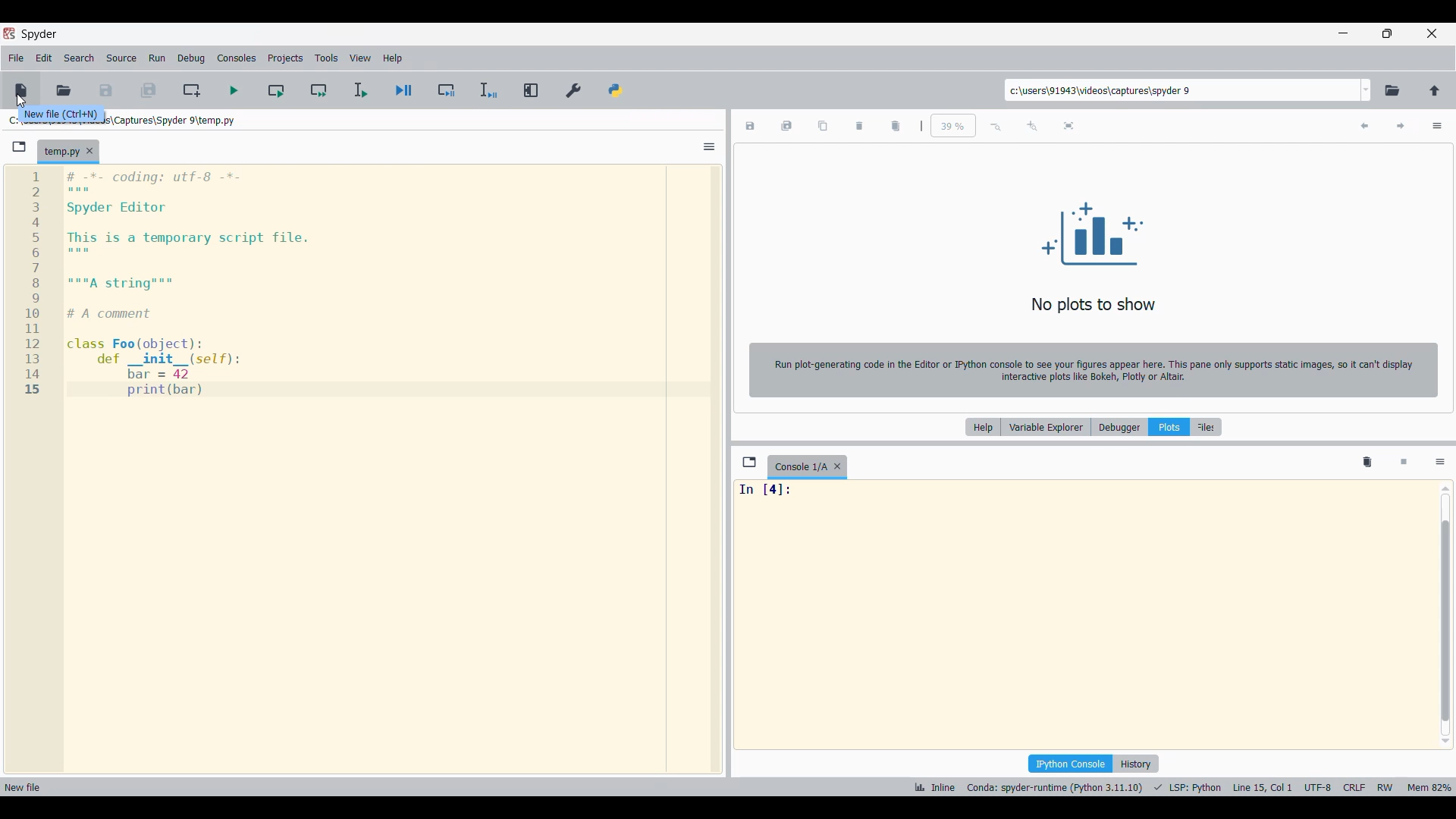 Image resolution: width=1456 pixels, height=819 pixels. Describe the element at coordinates (996, 126) in the screenshot. I see `Zoom out` at that location.